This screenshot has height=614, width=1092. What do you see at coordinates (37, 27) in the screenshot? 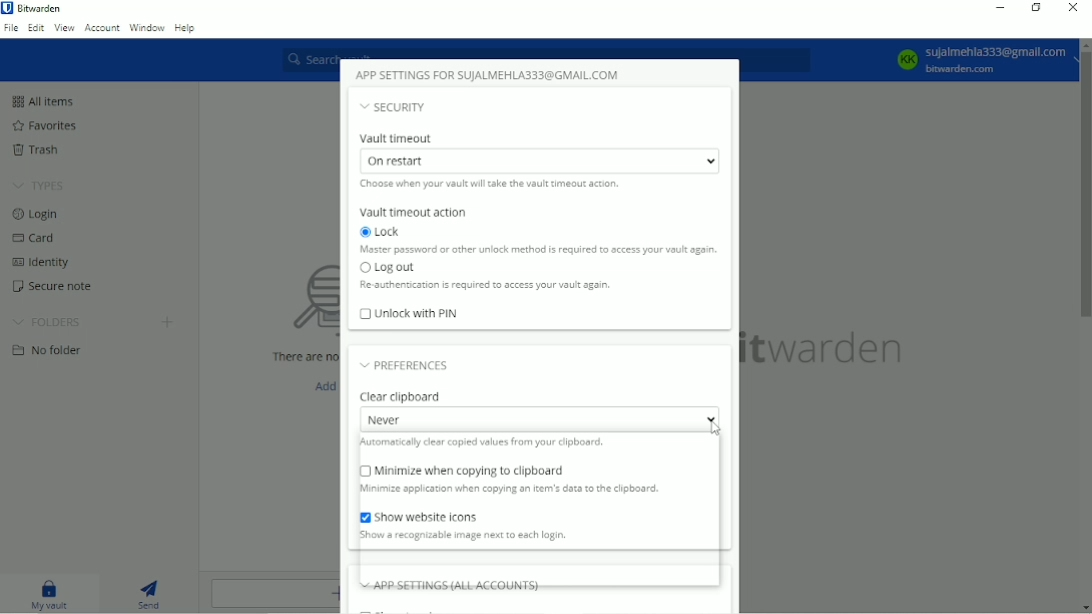
I see `Edit` at bounding box center [37, 27].